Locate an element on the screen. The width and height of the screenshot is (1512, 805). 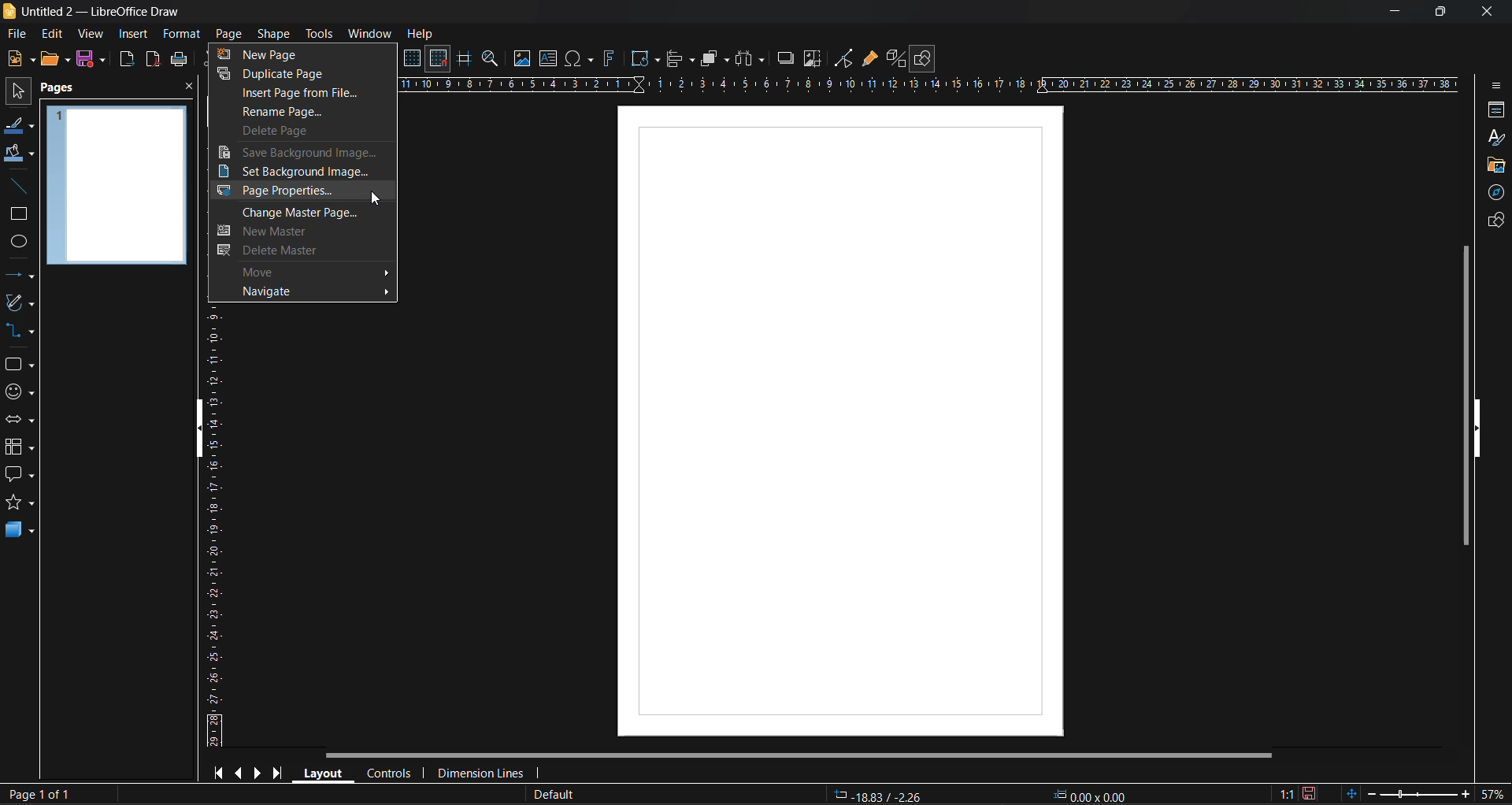
help is located at coordinates (421, 33).